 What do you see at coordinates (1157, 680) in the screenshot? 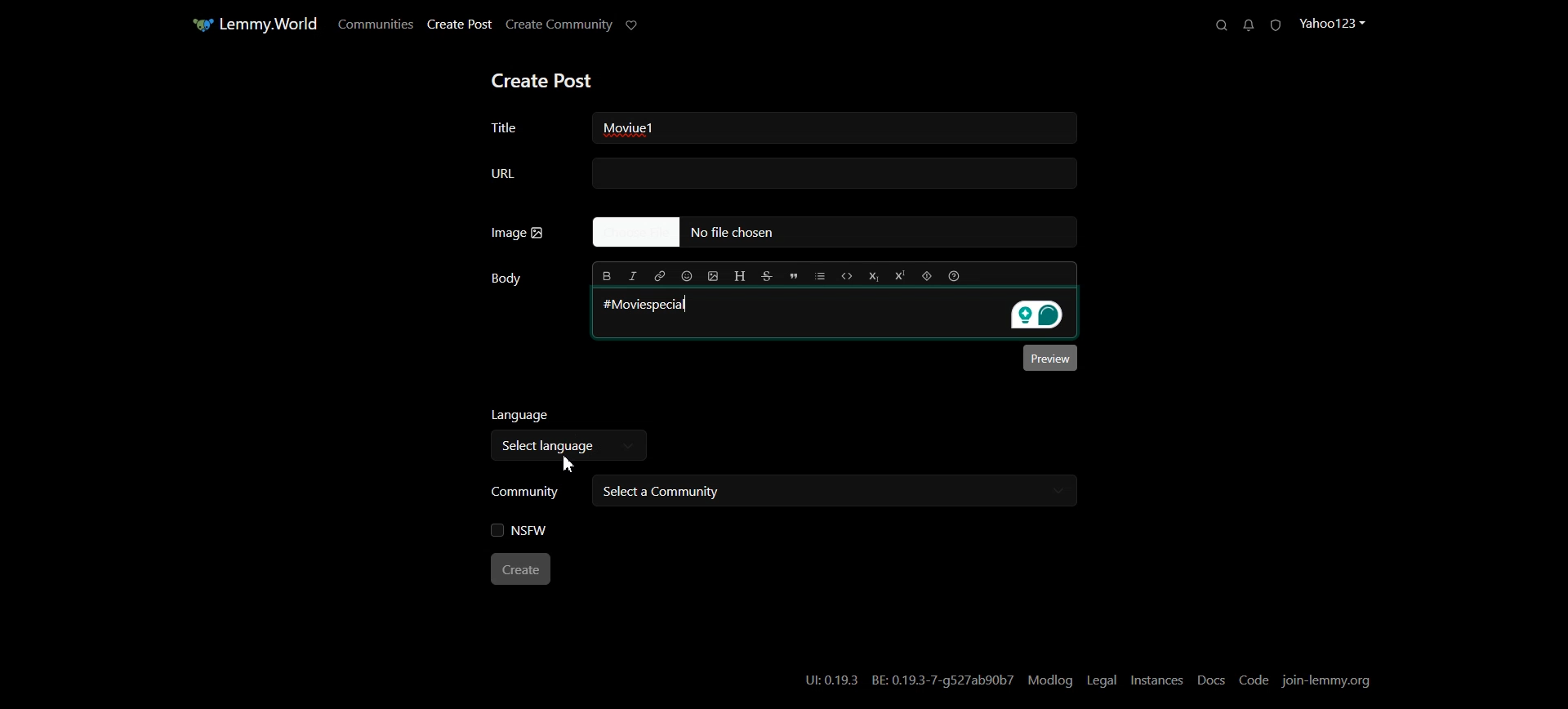
I see `Instances` at bounding box center [1157, 680].